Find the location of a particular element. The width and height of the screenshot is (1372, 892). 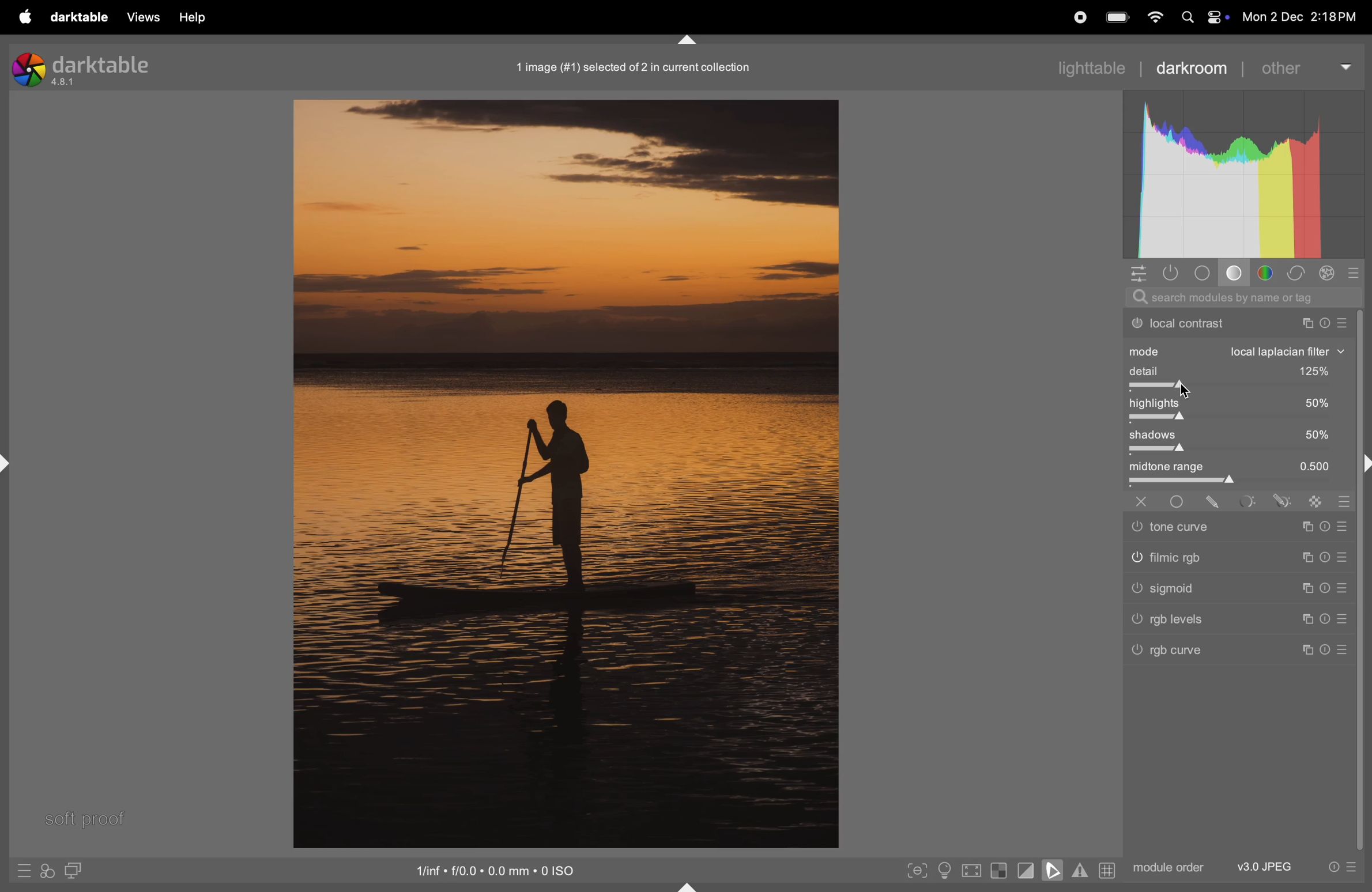

apple widgets is located at coordinates (1203, 17).